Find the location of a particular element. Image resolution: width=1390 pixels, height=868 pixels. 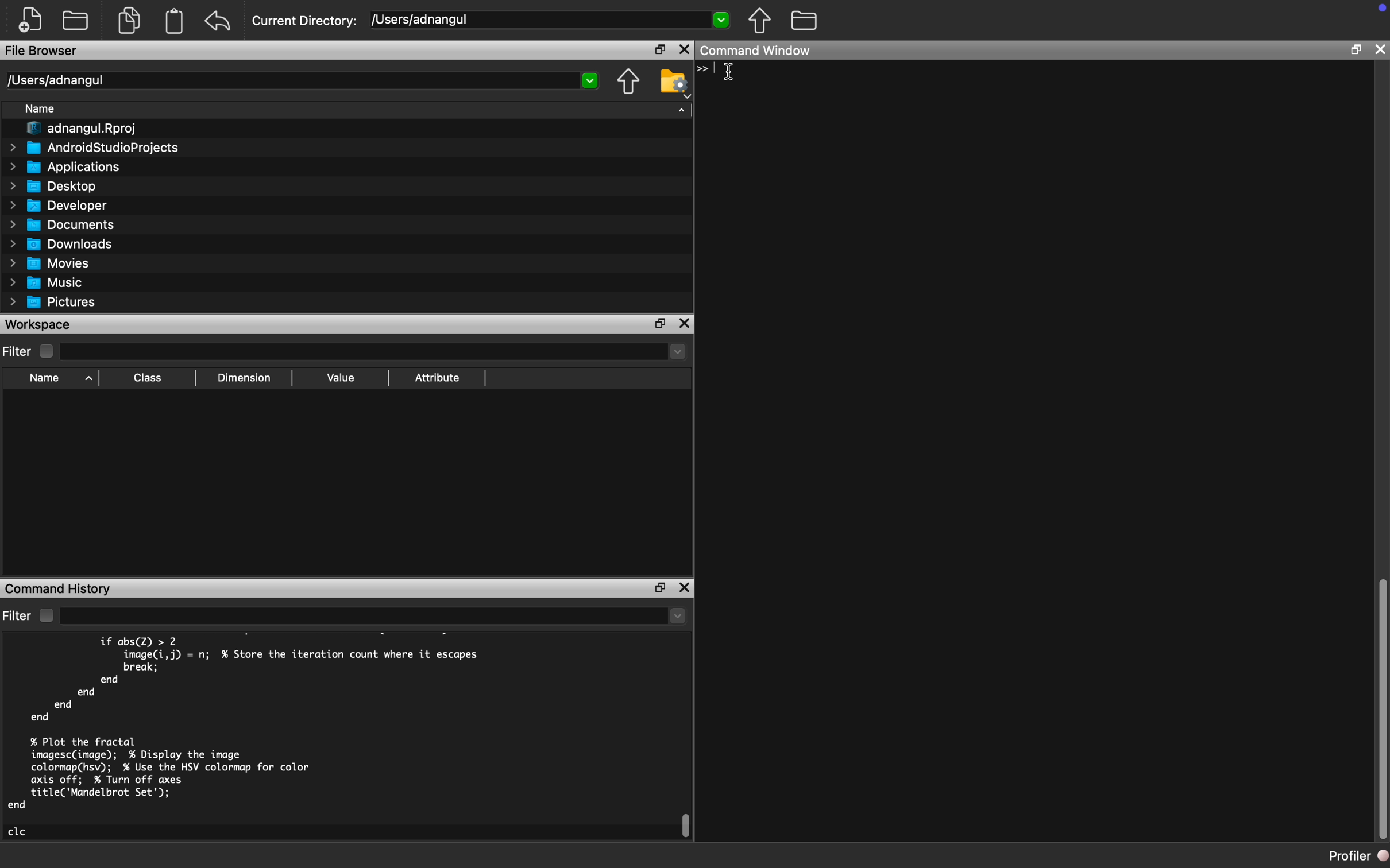

Checkbox is located at coordinates (45, 615).